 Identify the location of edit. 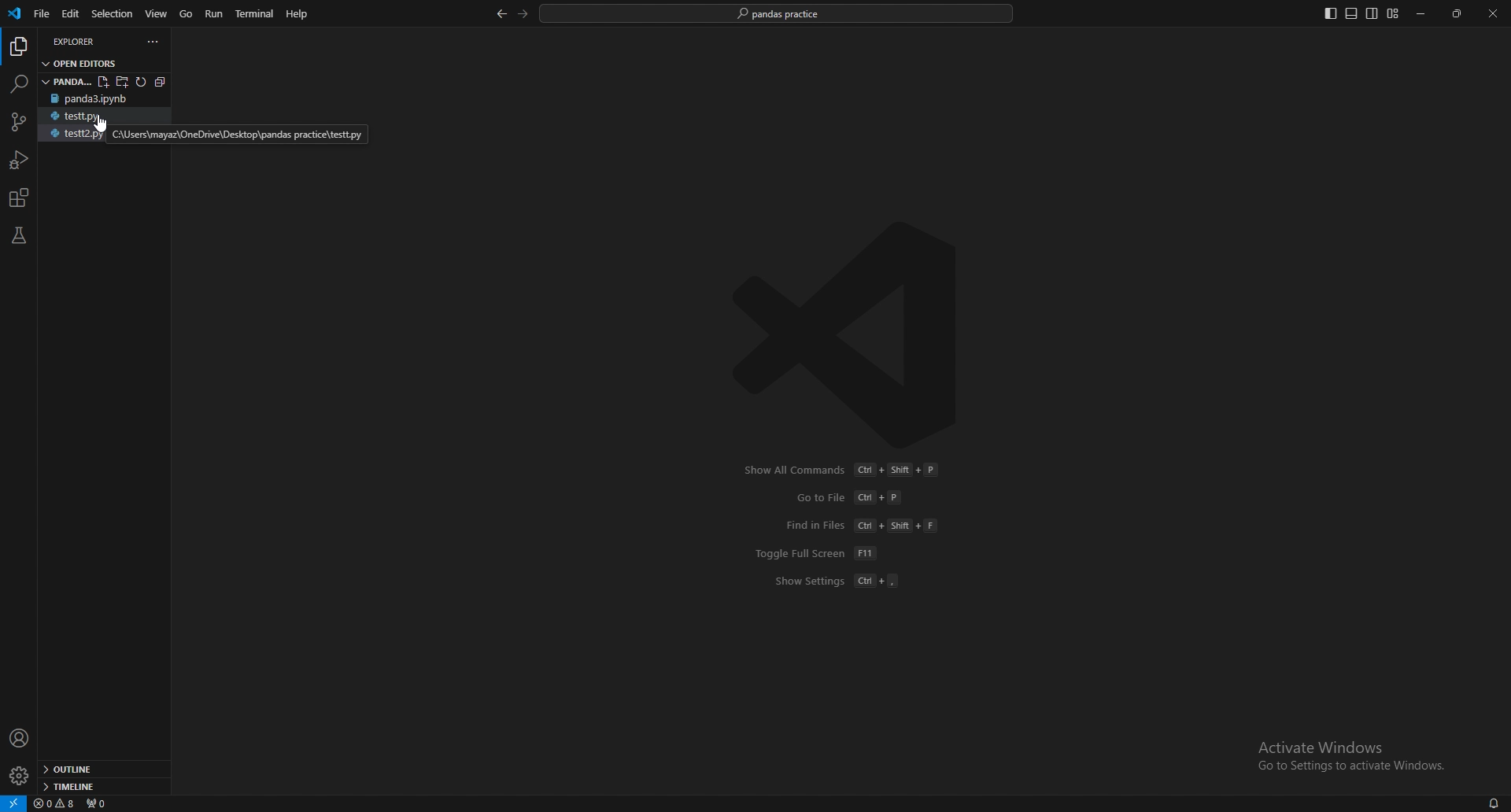
(72, 13).